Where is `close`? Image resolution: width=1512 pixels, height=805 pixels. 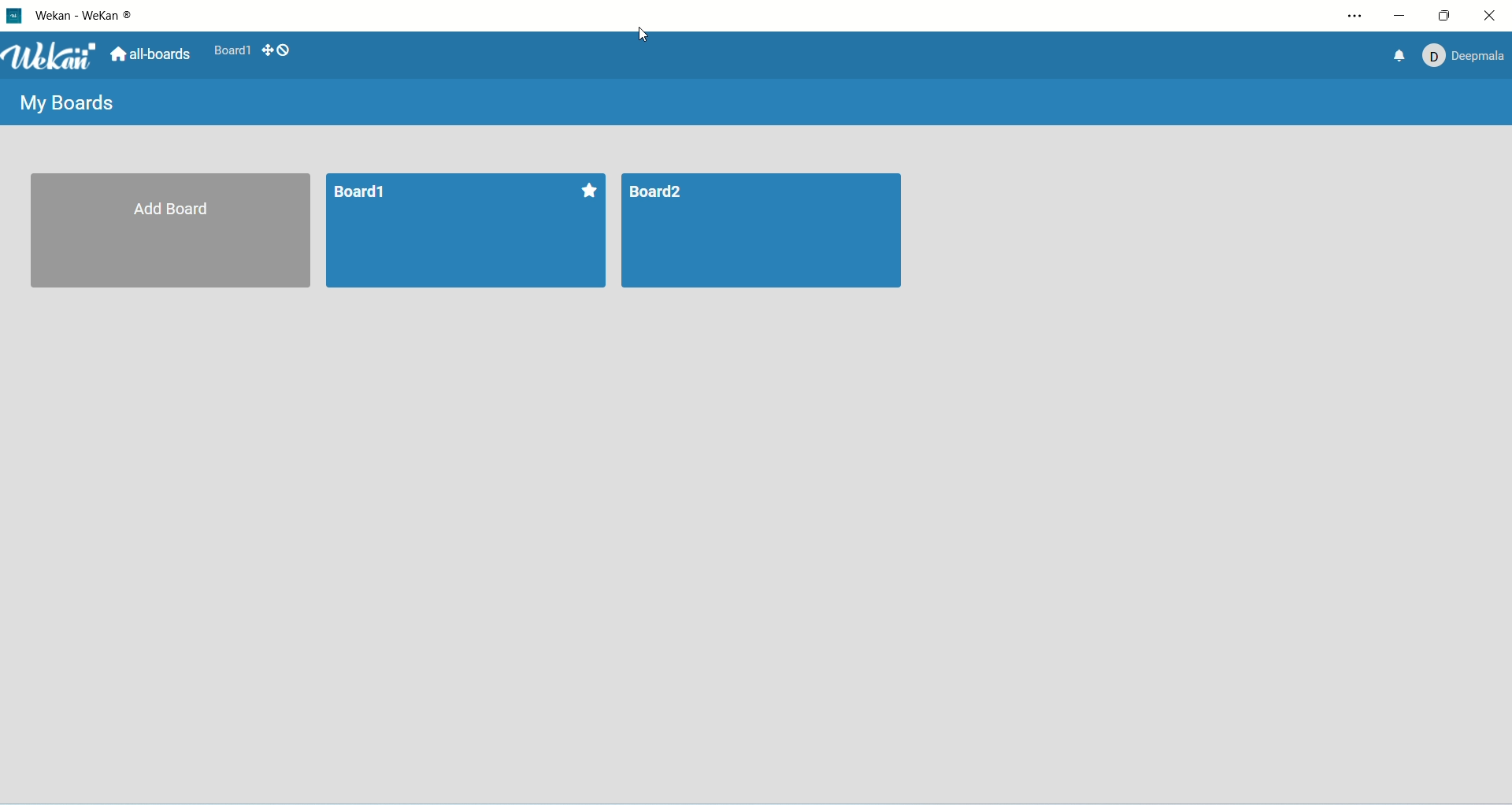
close is located at coordinates (1491, 16).